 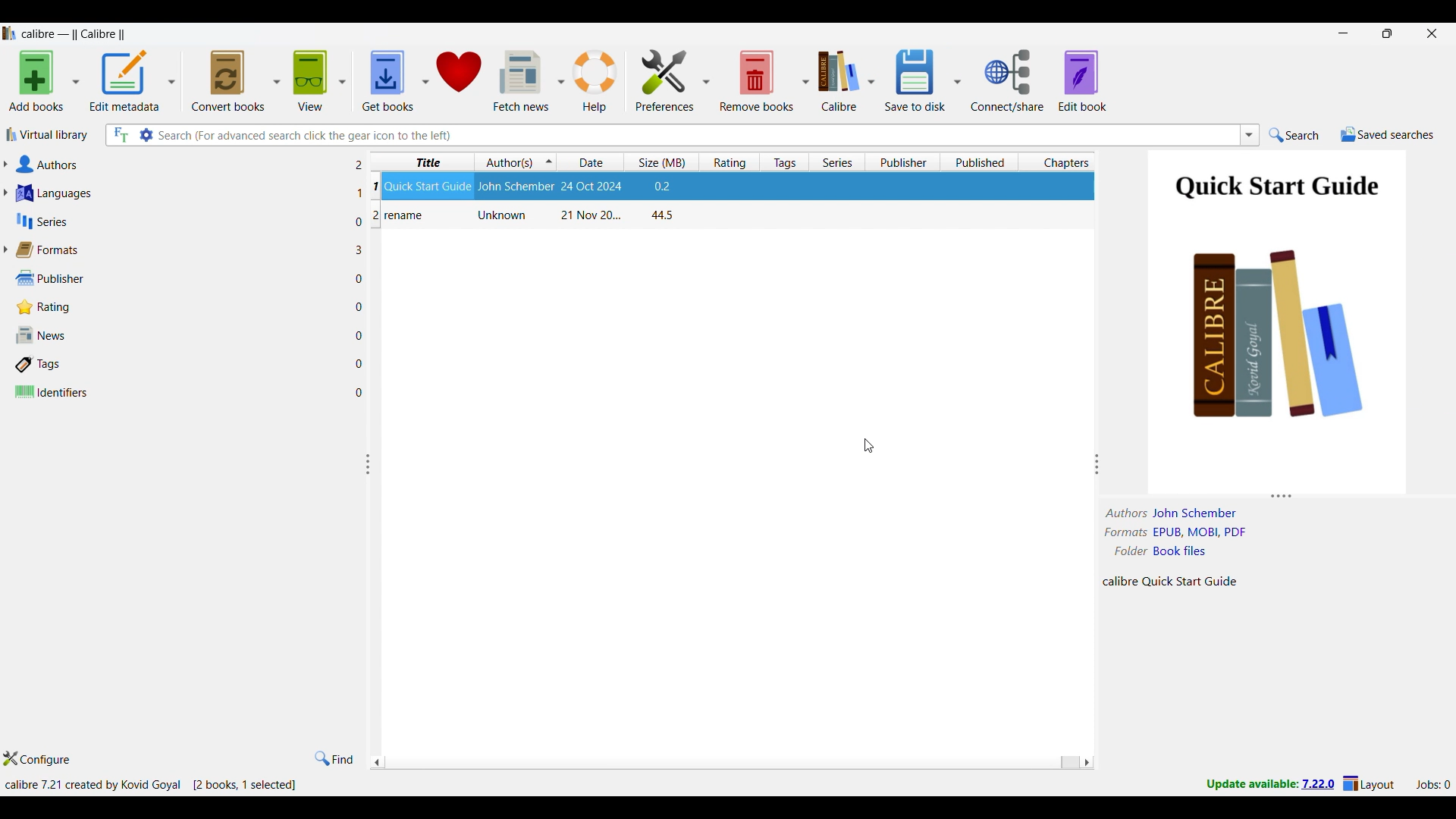 What do you see at coordinates (180, 164) in the screenshot?
I see `Authors` at bounding box center [180, 164].